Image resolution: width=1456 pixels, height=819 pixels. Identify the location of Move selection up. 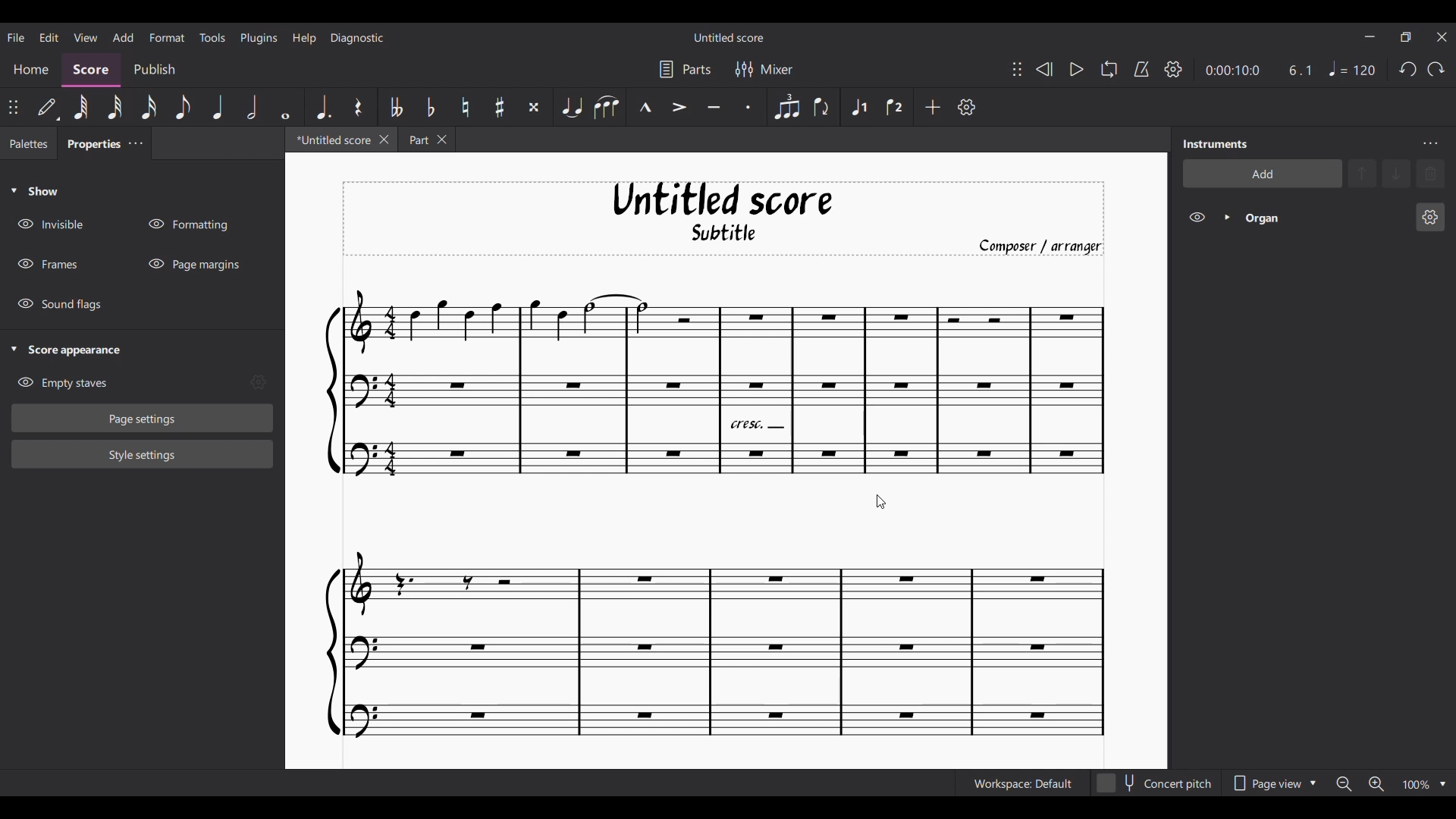
(1362, 173).